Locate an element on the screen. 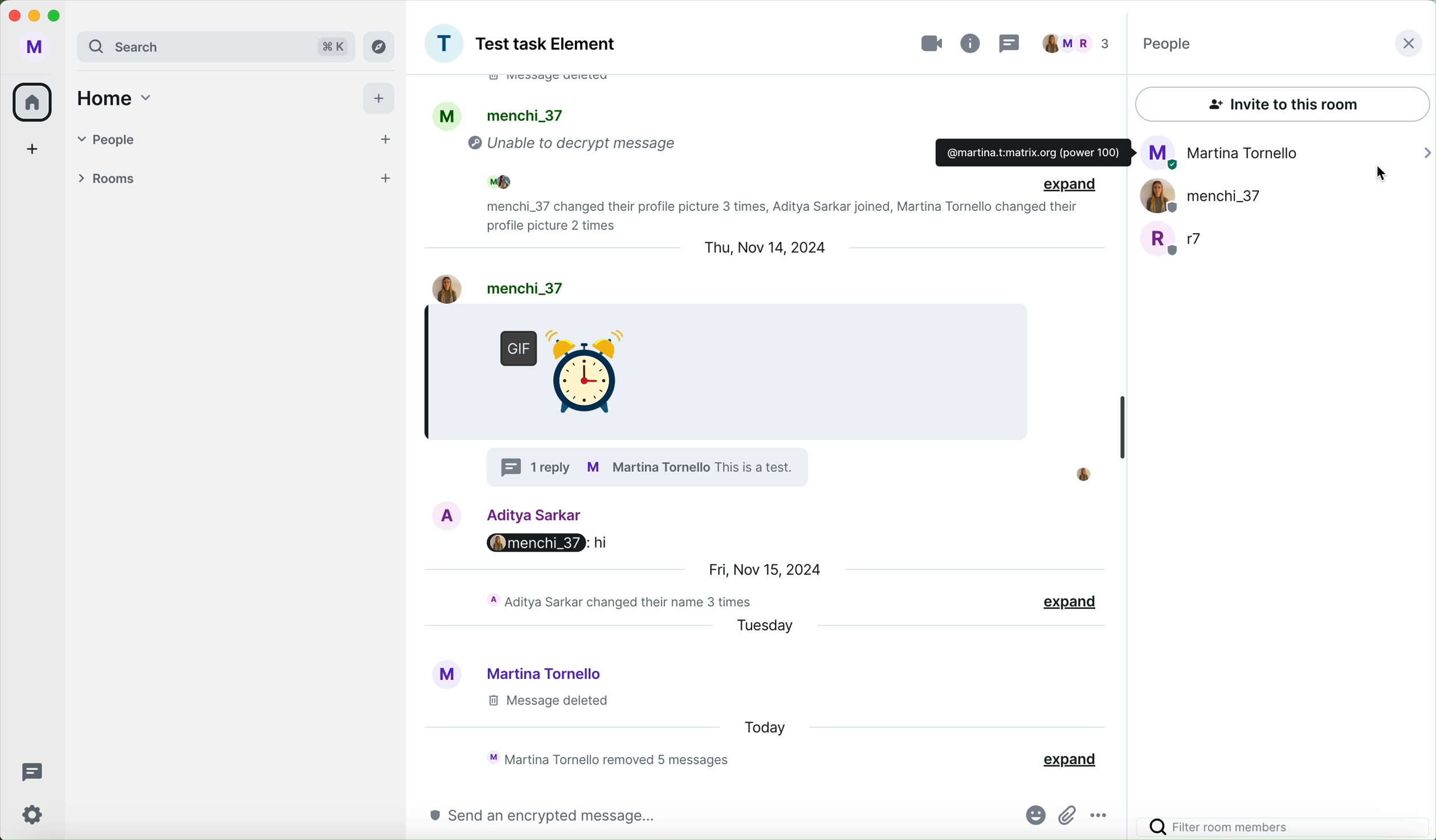 This screenshot has height=840, width=1436. today is located at coordinates (764, 727).